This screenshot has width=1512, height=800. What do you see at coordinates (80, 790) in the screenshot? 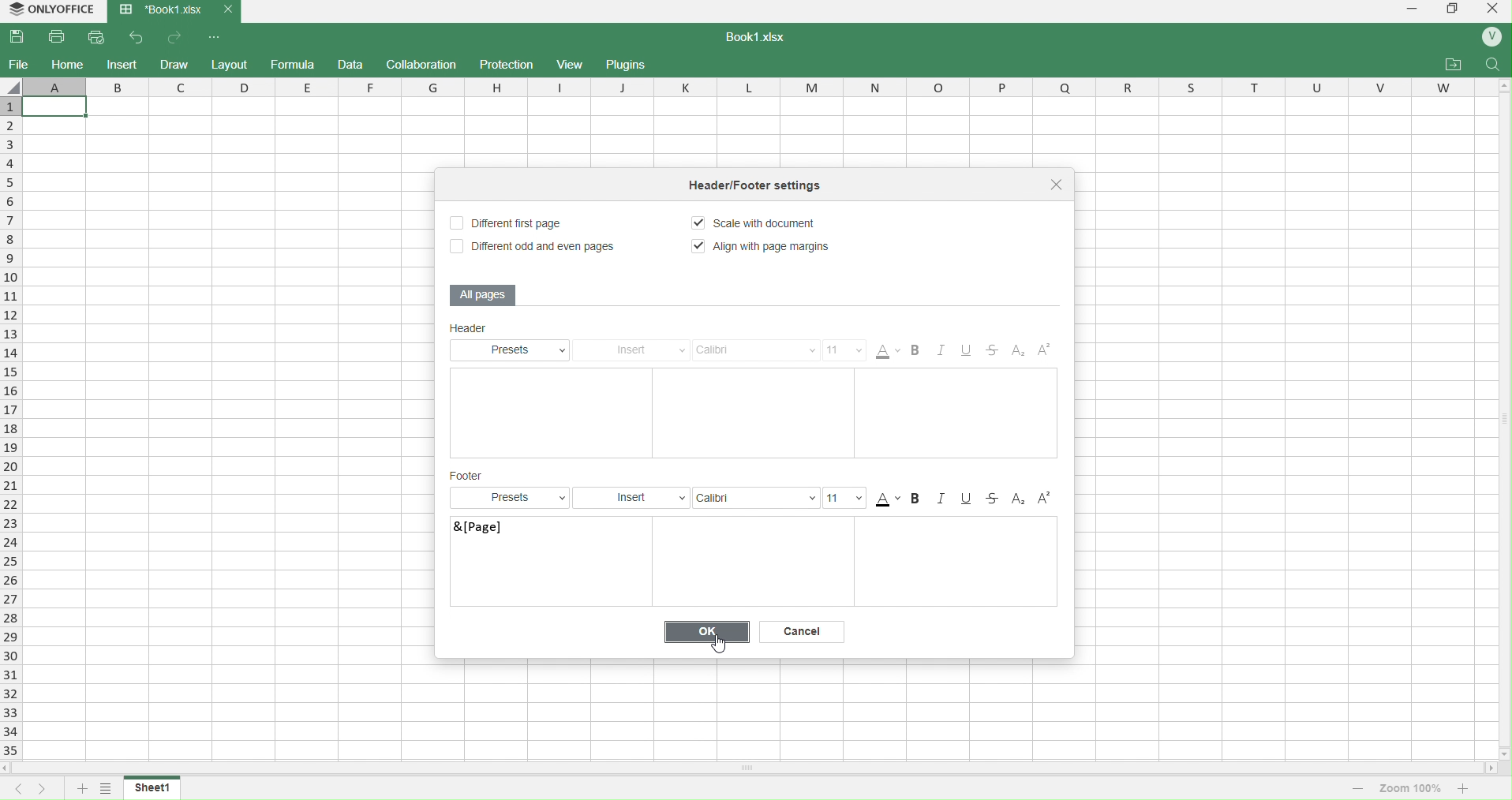
I see `add sheet` at bounding box center [80, 790].